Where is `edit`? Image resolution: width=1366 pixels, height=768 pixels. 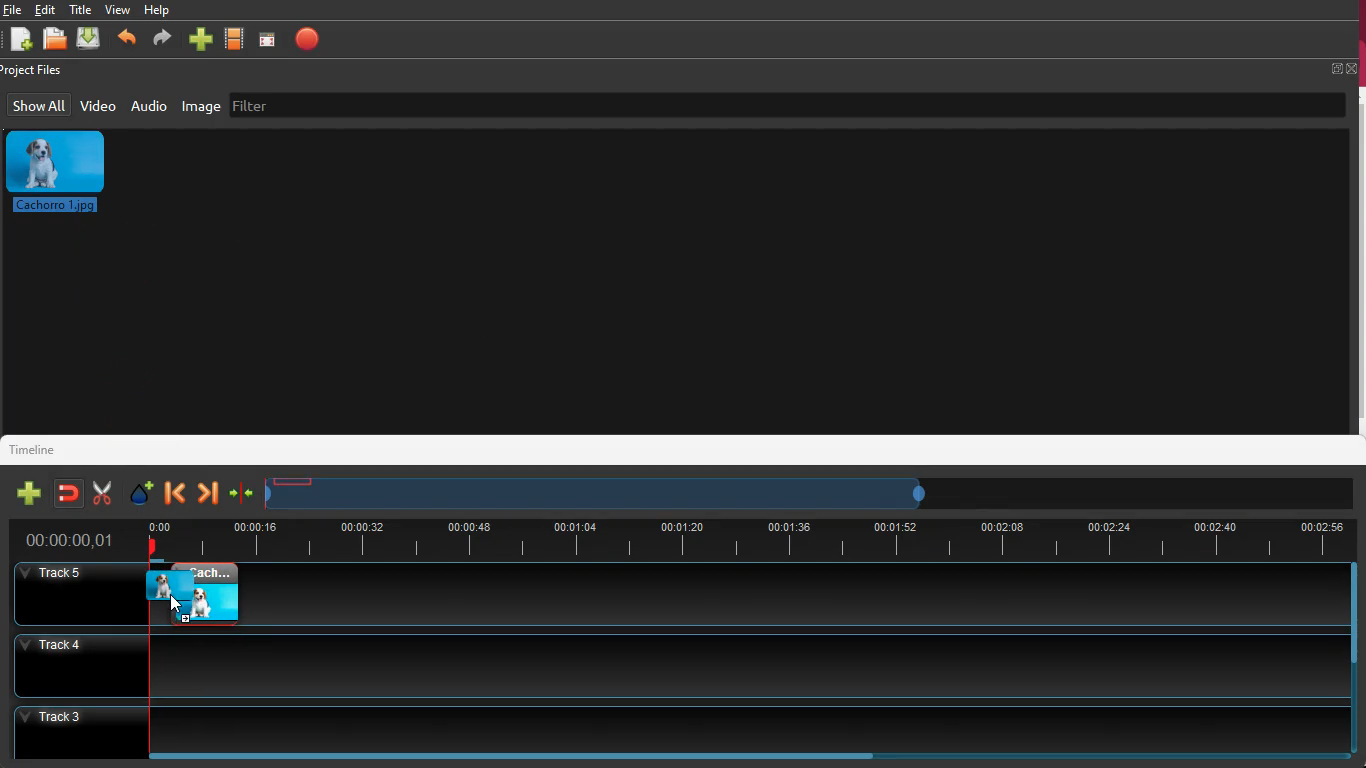
edit is located at coordinates (49, 10).